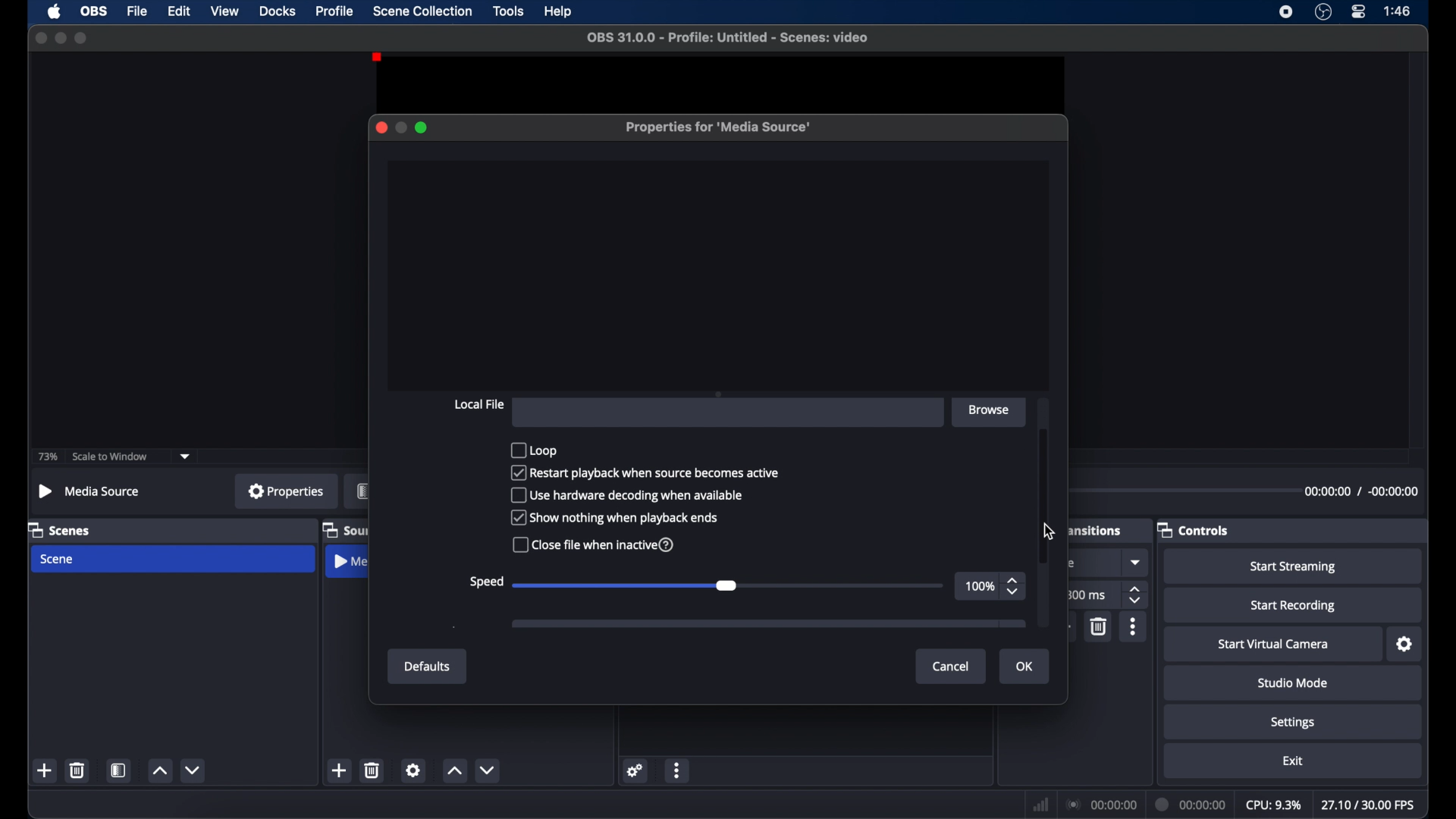  I want to click on file name, so click(732, 38).